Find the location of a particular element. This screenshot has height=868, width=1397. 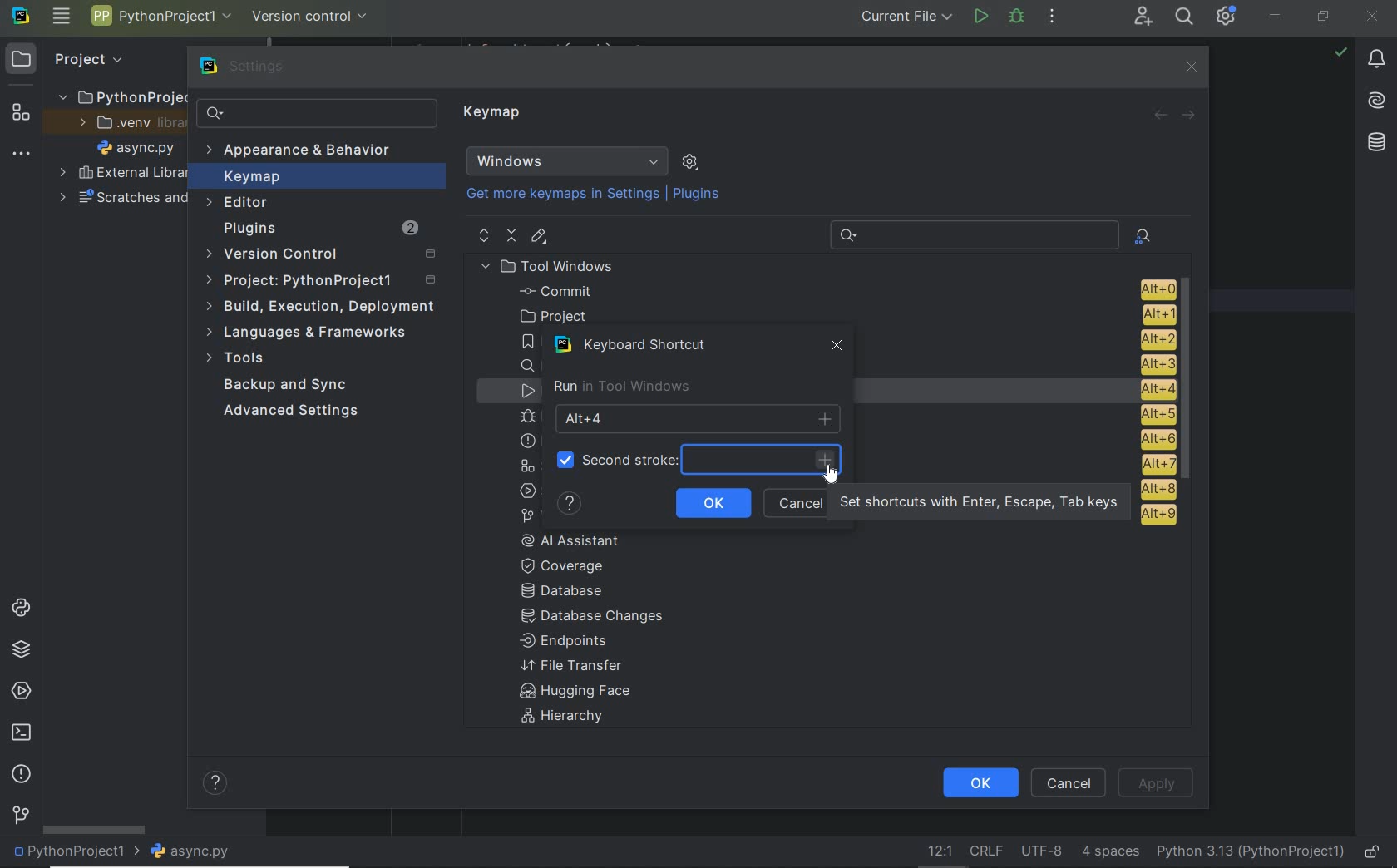

Alt+$ is located at coordinates (699, 418).